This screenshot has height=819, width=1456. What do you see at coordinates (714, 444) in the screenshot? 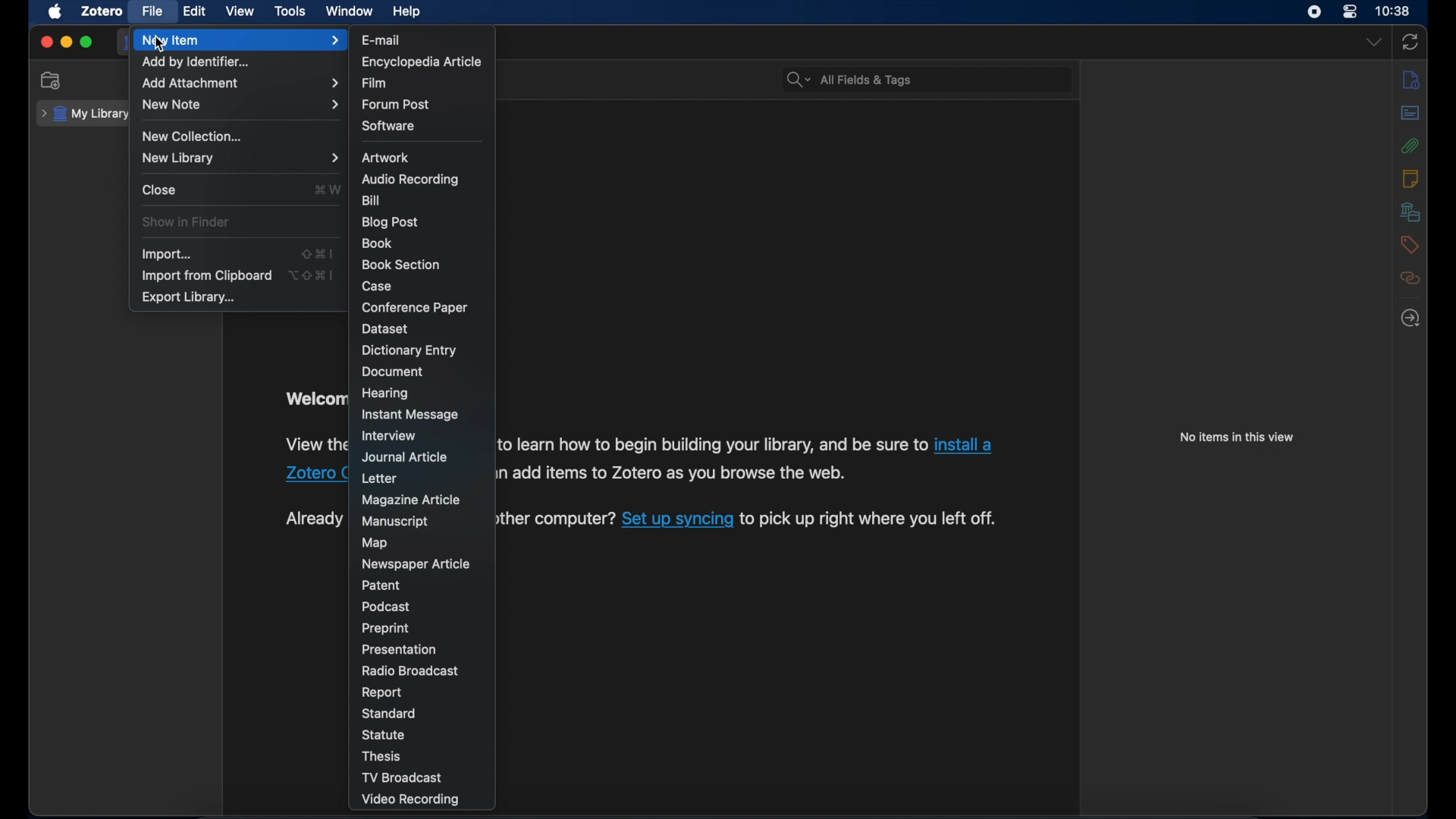
I see `to learn how to begin your library, and be sure to` at bounding box center [714, 444].